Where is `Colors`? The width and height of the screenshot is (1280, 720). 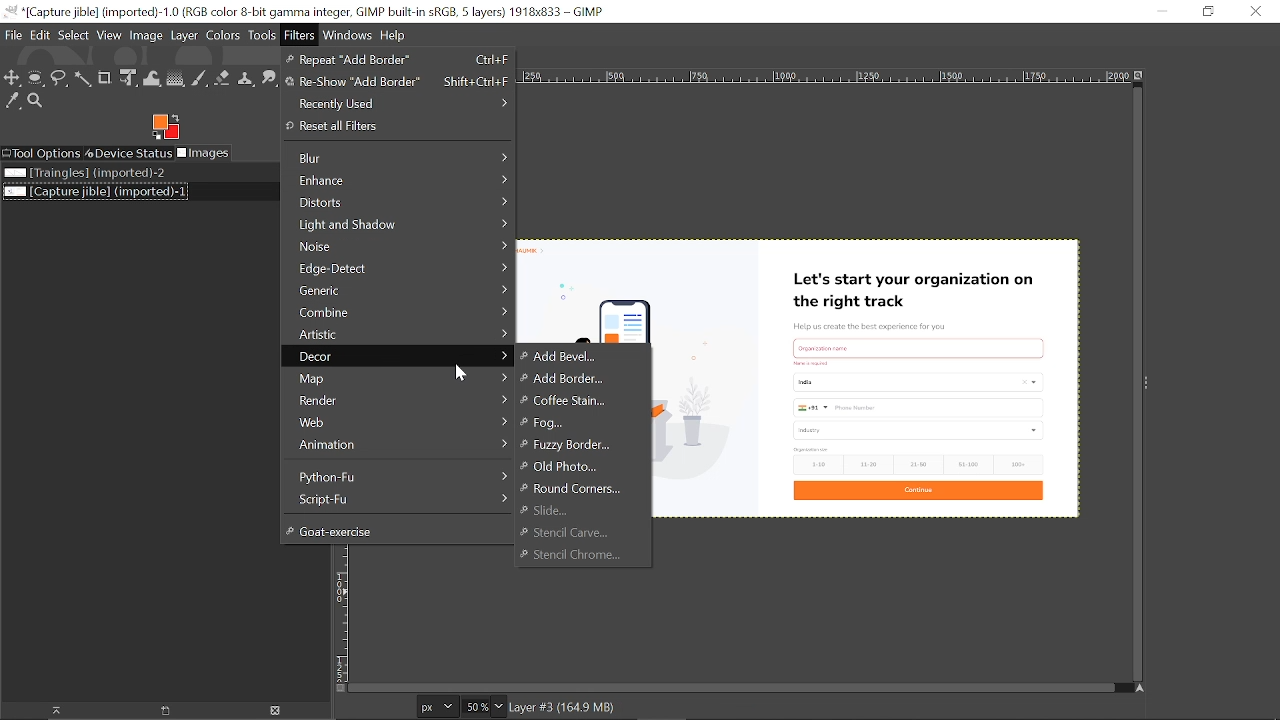
Colors is located at coordinates (222, 35).